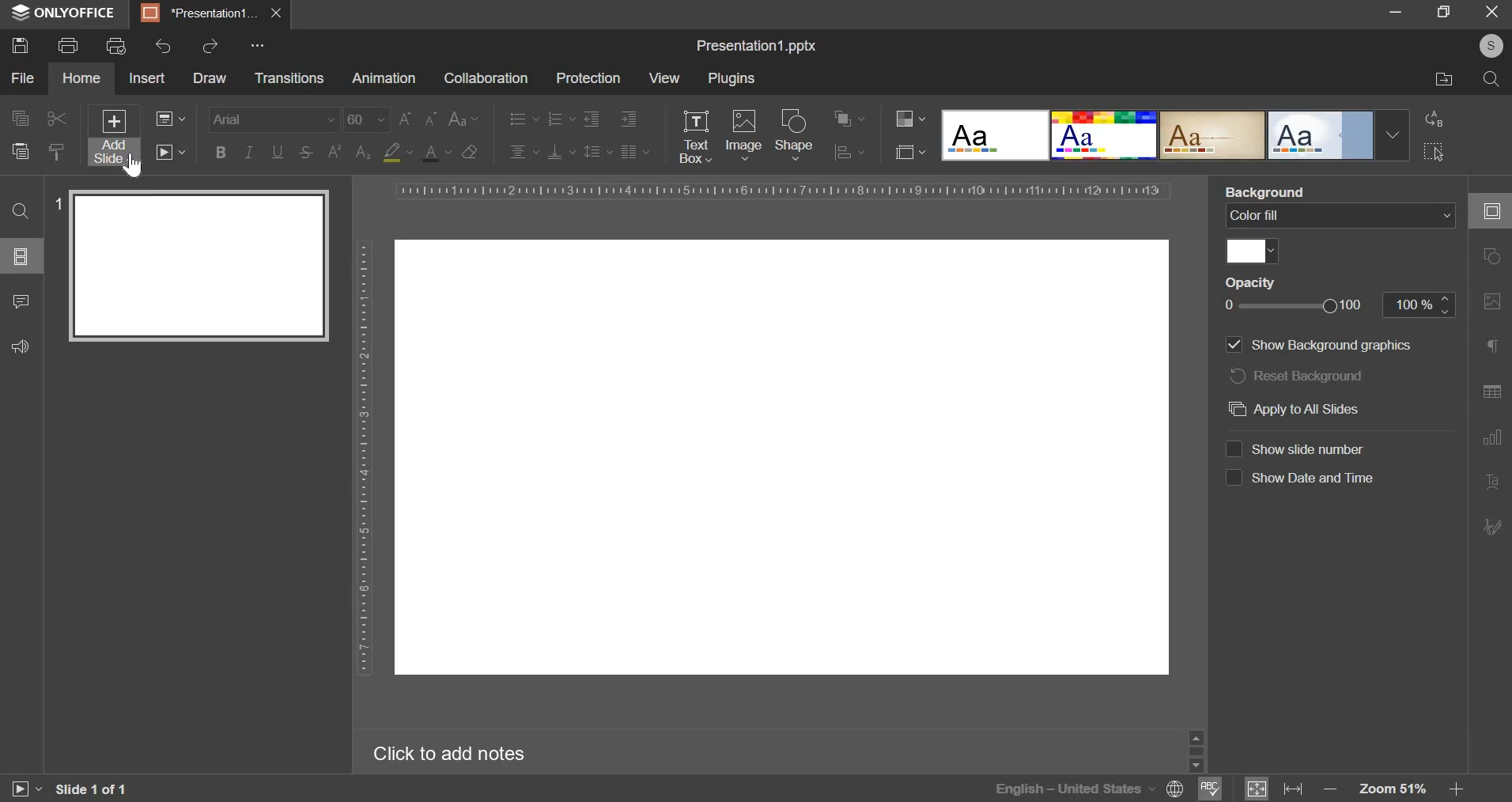 This screenshot has width=1512, height=802. Describe the element at coordinates (1294, 307) in the screenshot. I see `opacity bar` at that location.